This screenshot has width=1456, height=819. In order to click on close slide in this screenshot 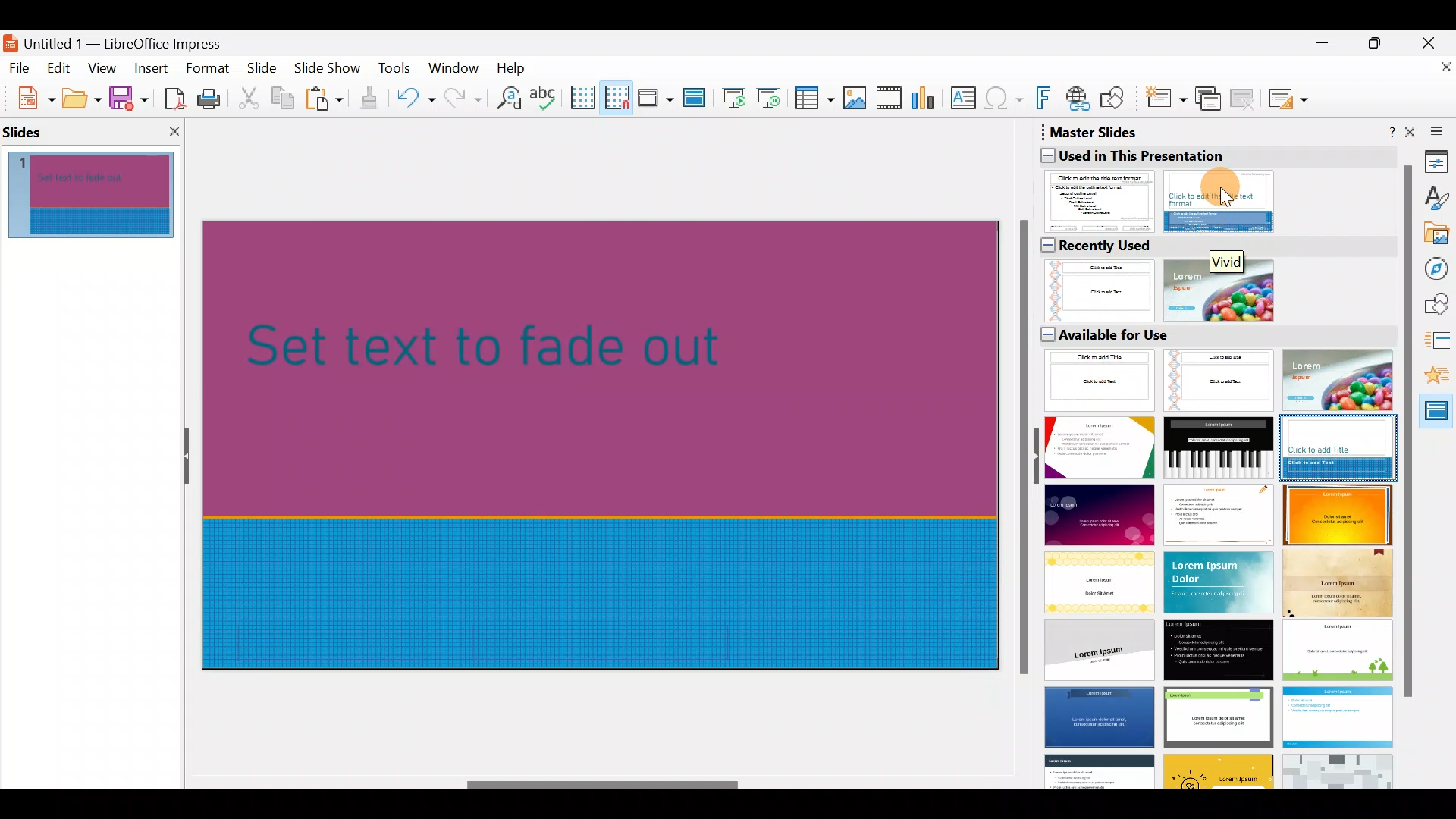, I will do `click(174, 130)`.